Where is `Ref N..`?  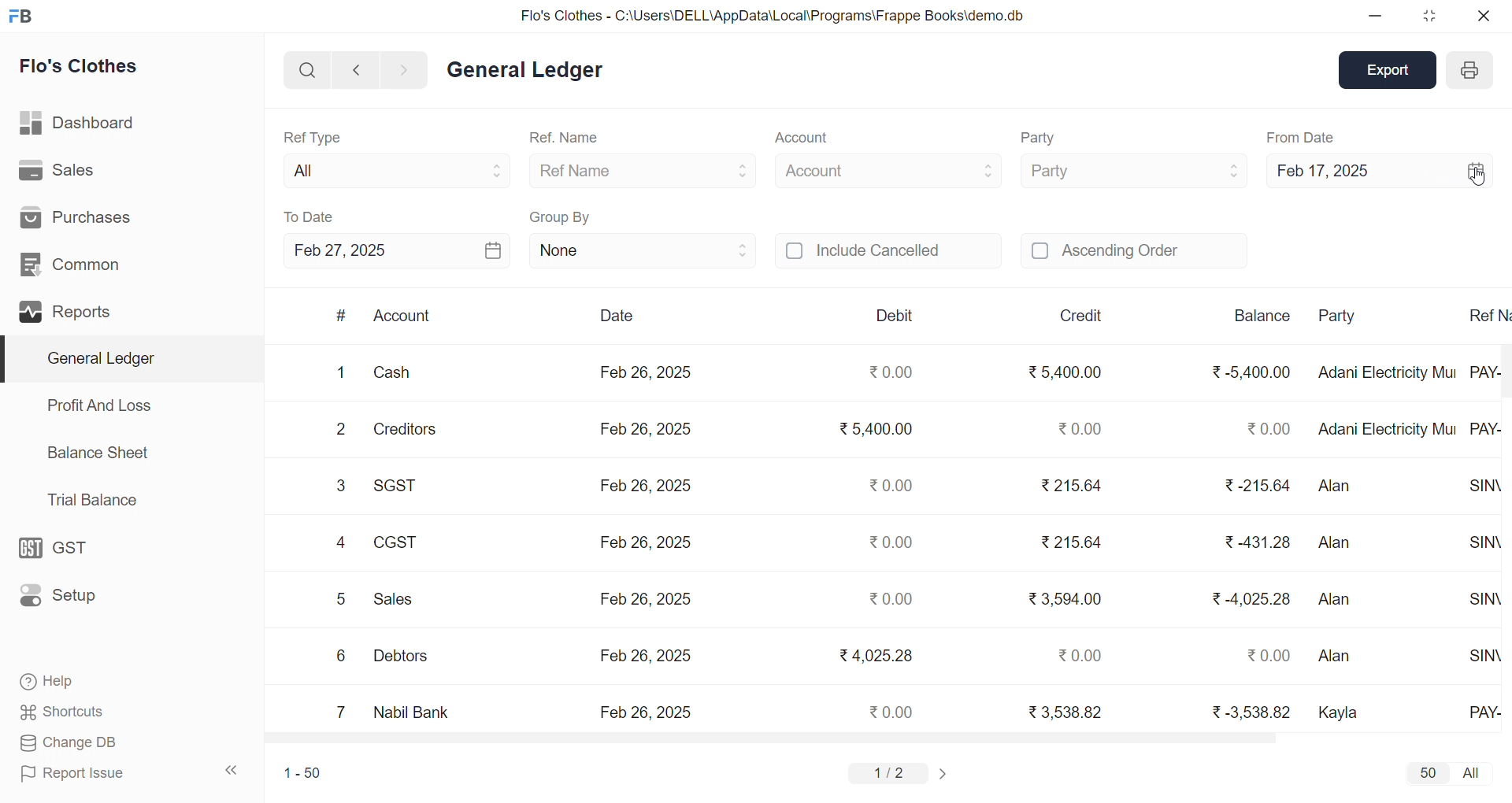 Ref N.. is located at coordinates (1485, 314).